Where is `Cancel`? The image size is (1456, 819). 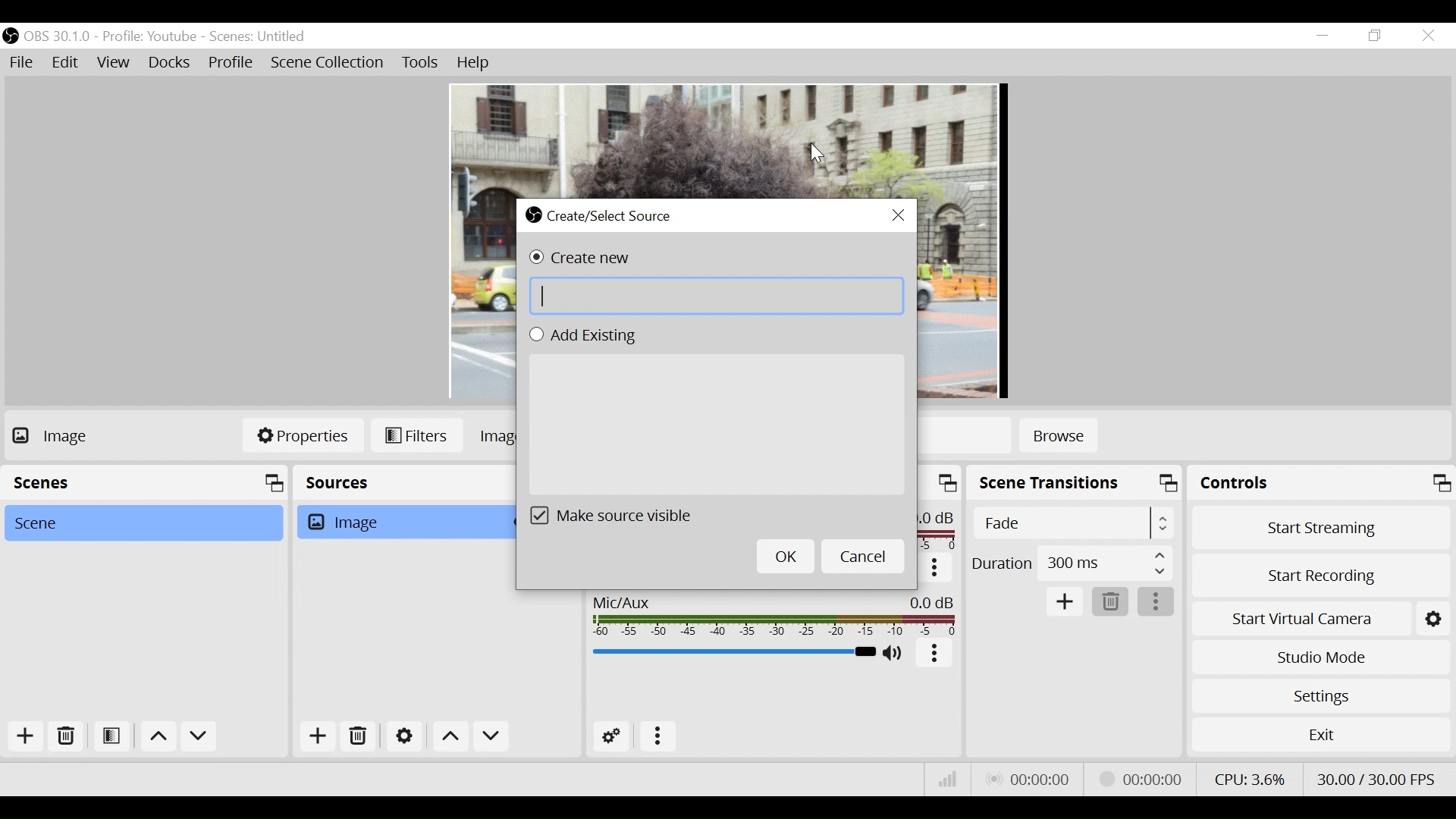 Cancel is located at coordinates (863, 556).